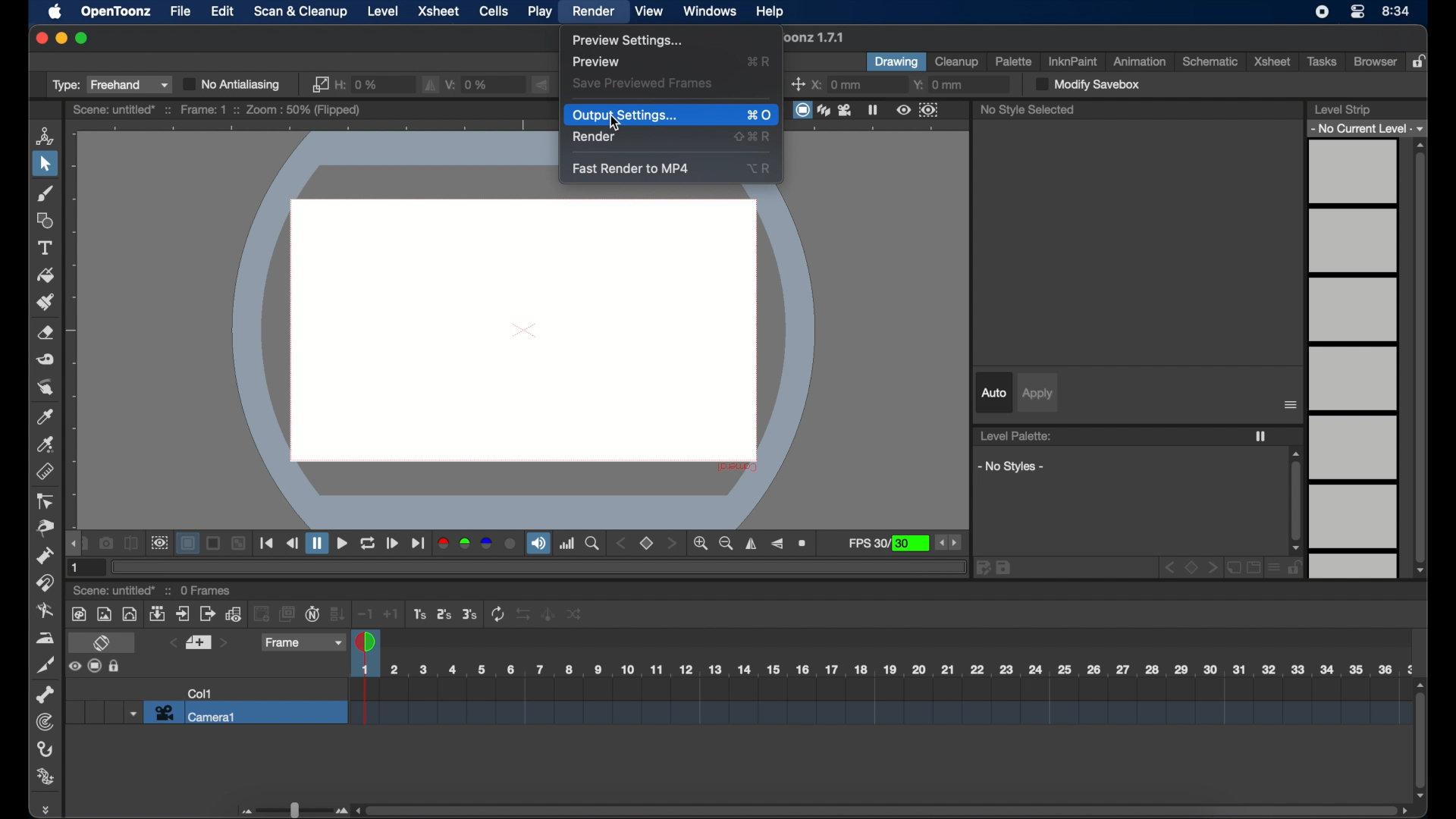  I want to click on , so click(79, 613).